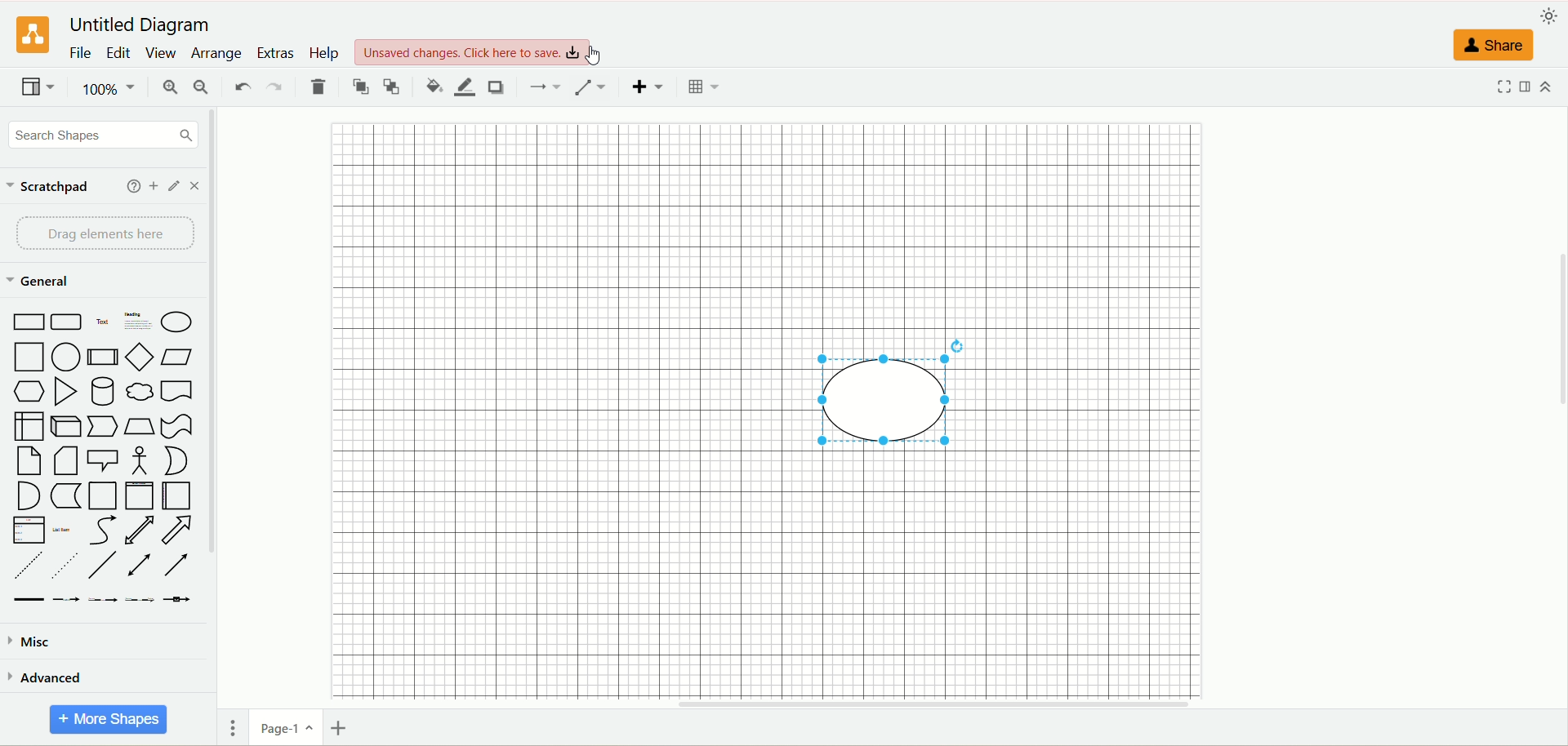 This screenshot has width=1568, height=746. What do you see at coordinates (26, 495) in the screenshot?
I see `and` at bounding box center [26, 495].